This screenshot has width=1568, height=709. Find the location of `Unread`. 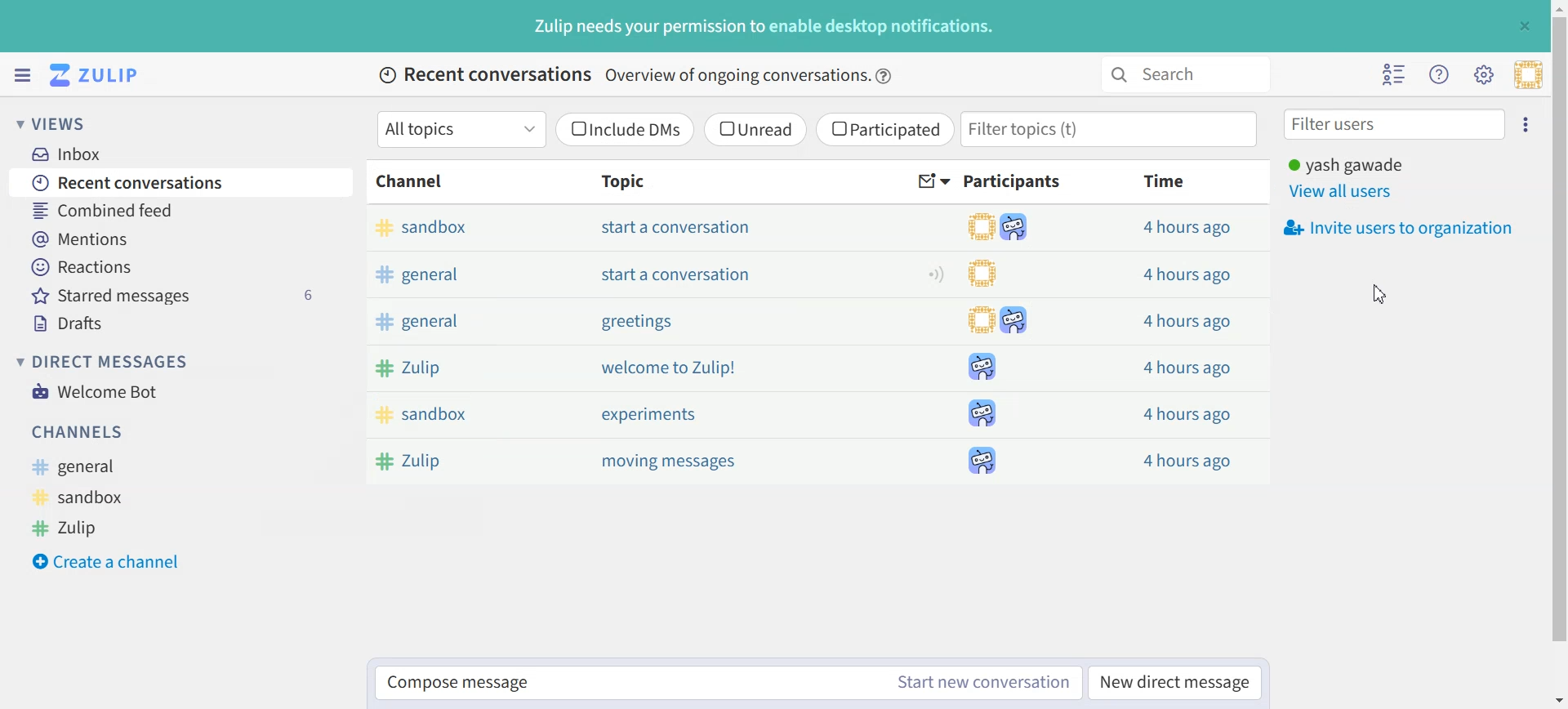

Unread is located at coordinates (755, 129).